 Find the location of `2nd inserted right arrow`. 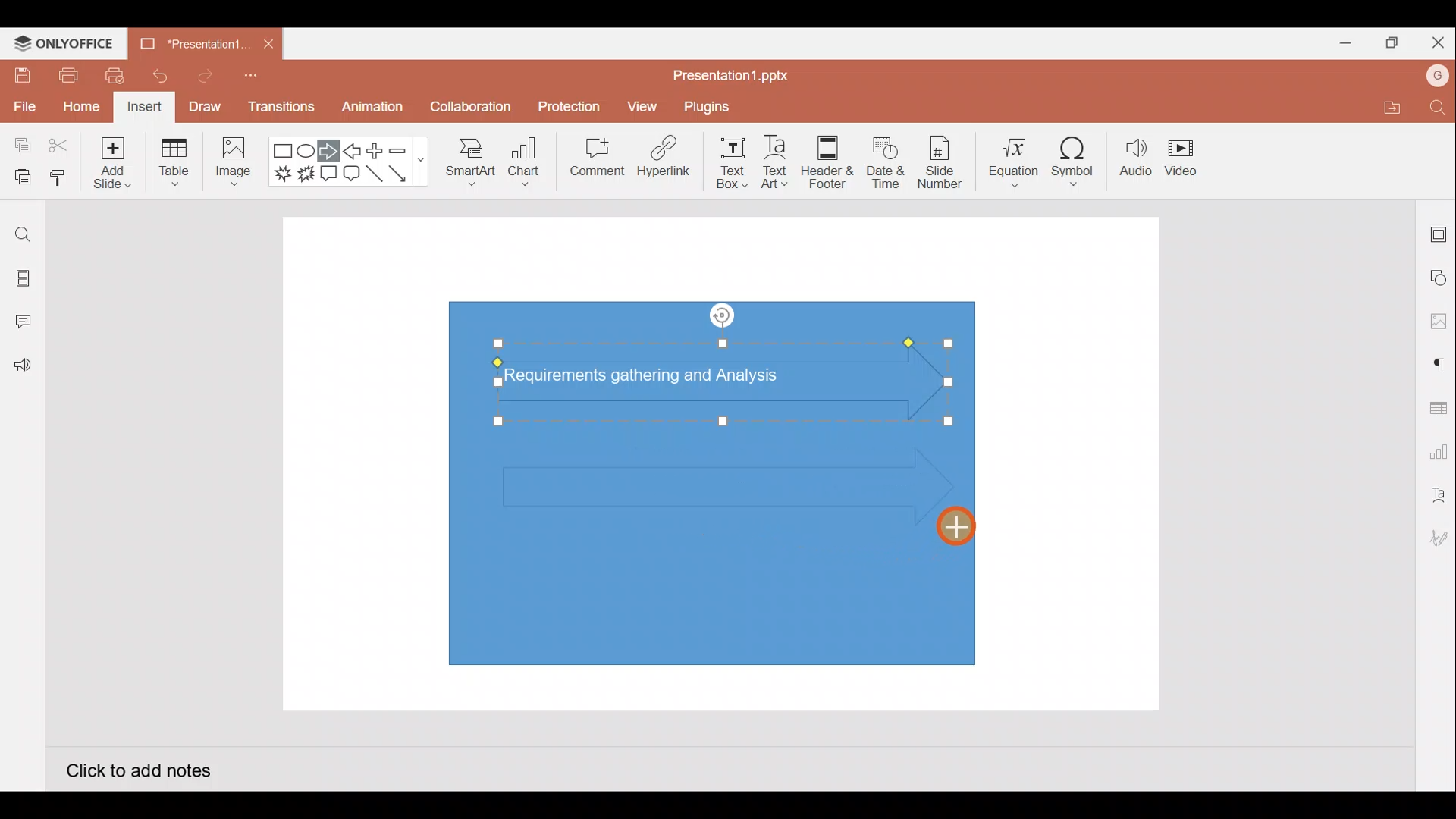

2nd inserted right arrow is located at coordinates (705, 485).